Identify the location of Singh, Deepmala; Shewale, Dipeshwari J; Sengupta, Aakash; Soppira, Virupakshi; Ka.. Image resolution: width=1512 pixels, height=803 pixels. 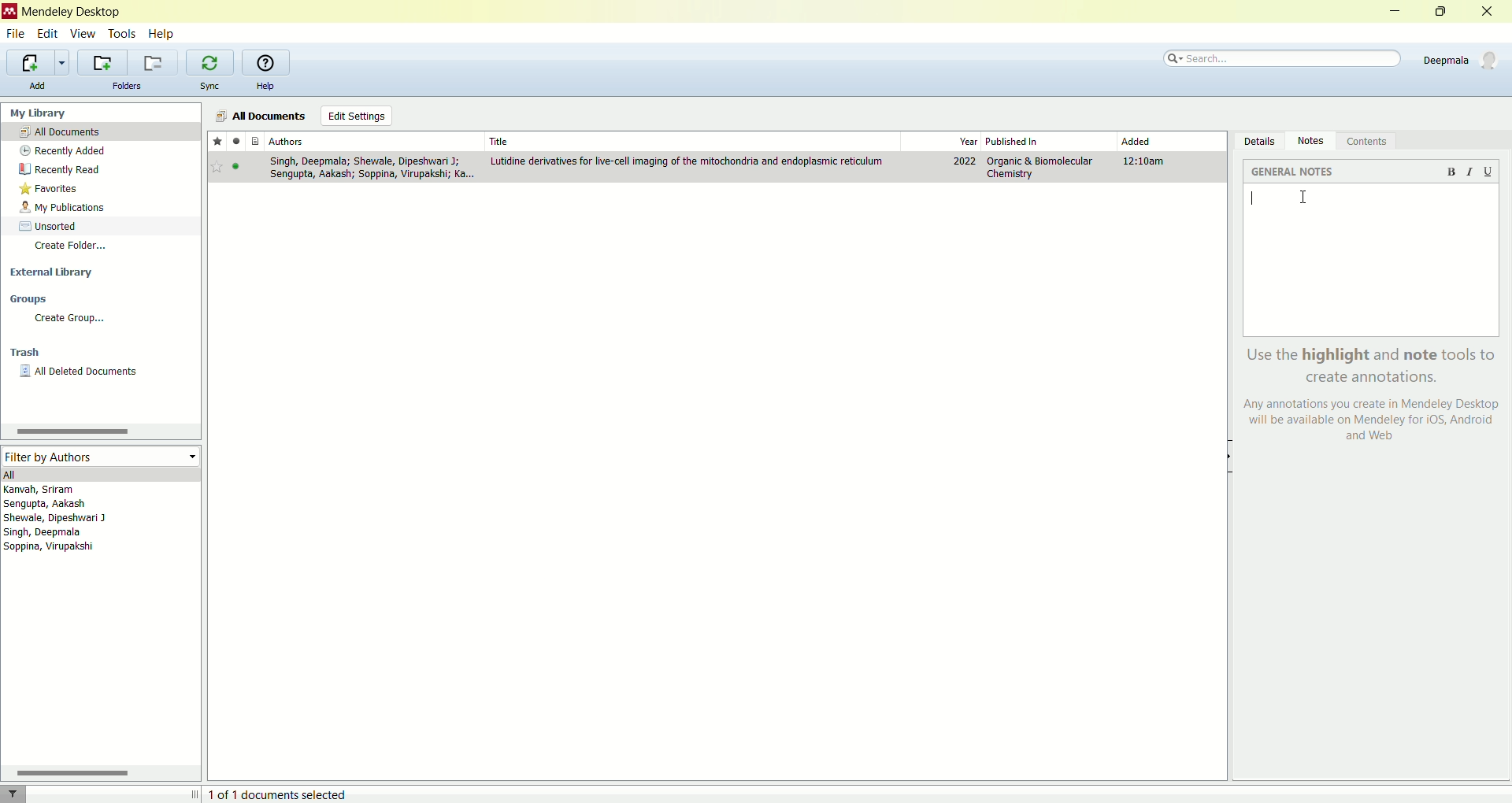
(369, 168).